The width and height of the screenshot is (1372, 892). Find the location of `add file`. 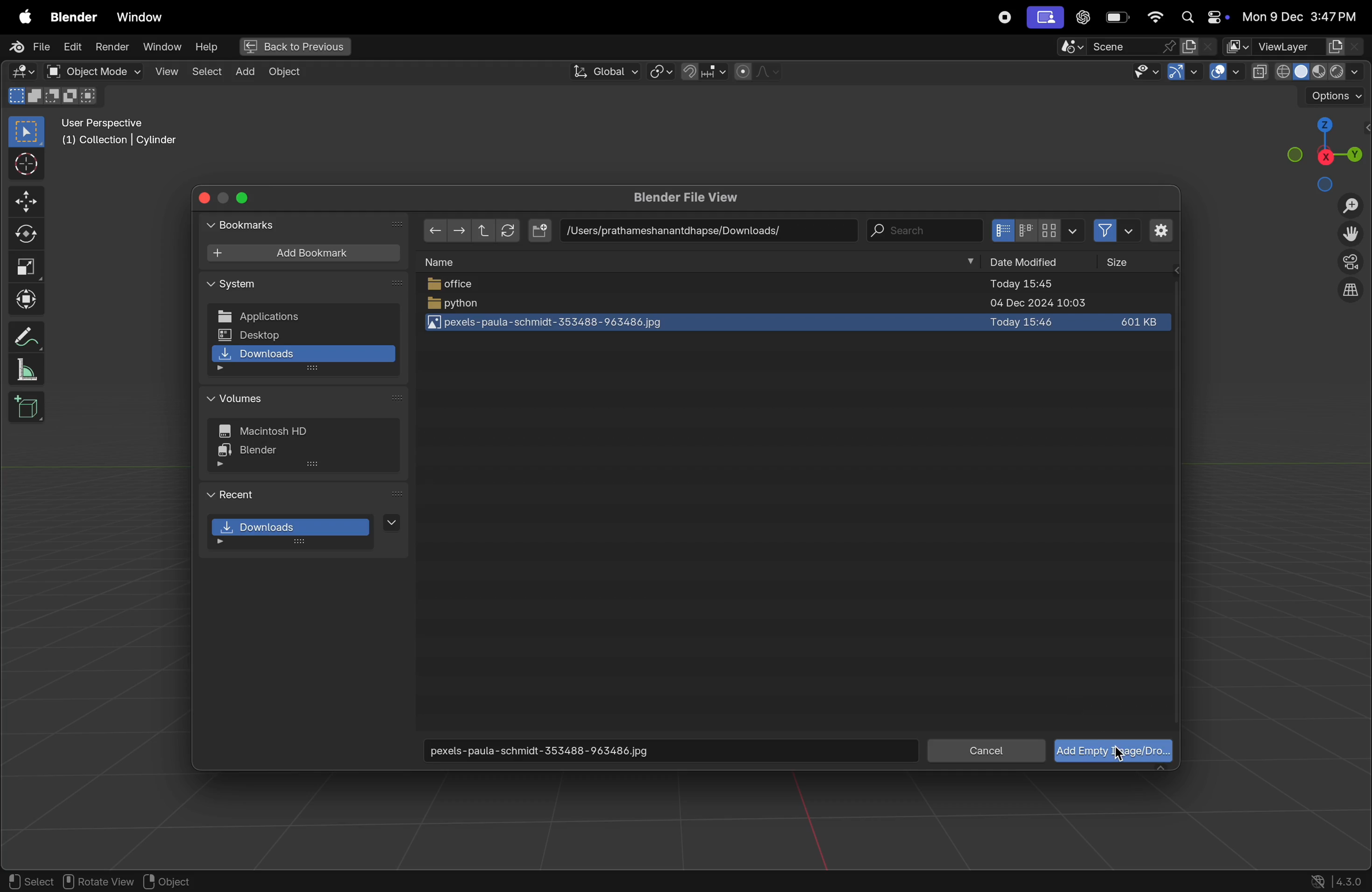

add file is located at coordinates (540, 230).